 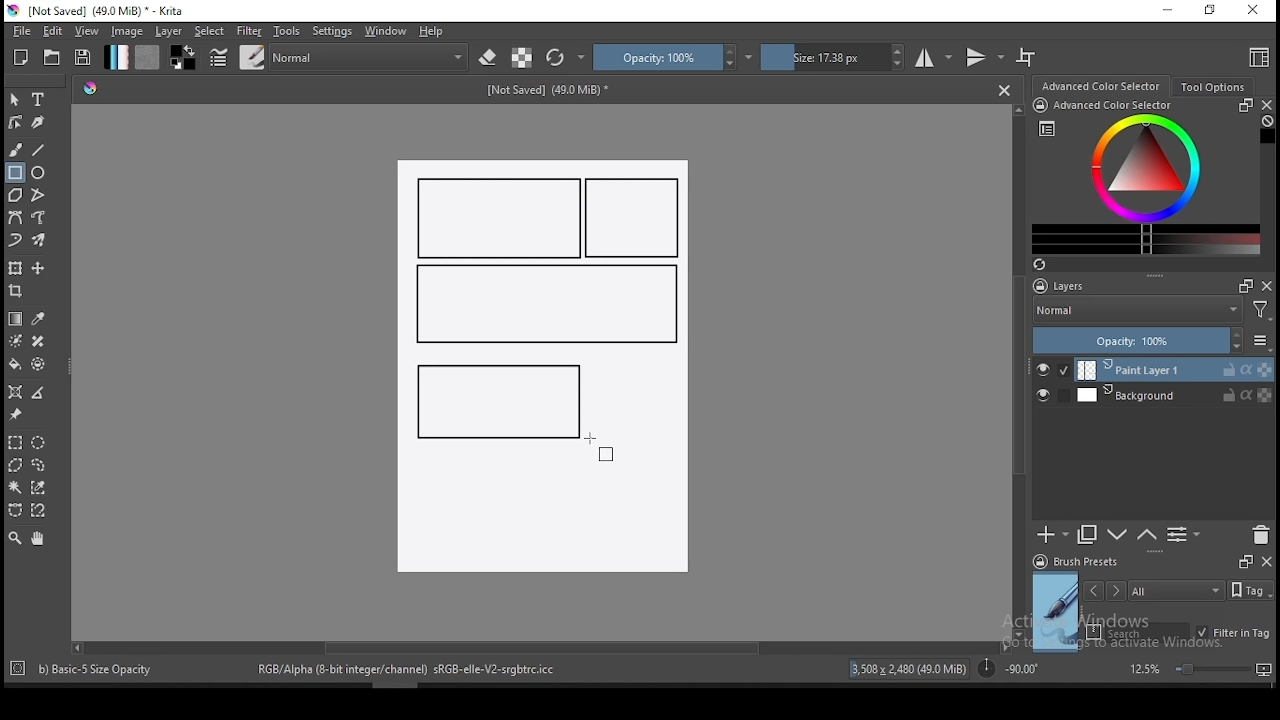 I want to click on search, so click(x=1138, y=632).